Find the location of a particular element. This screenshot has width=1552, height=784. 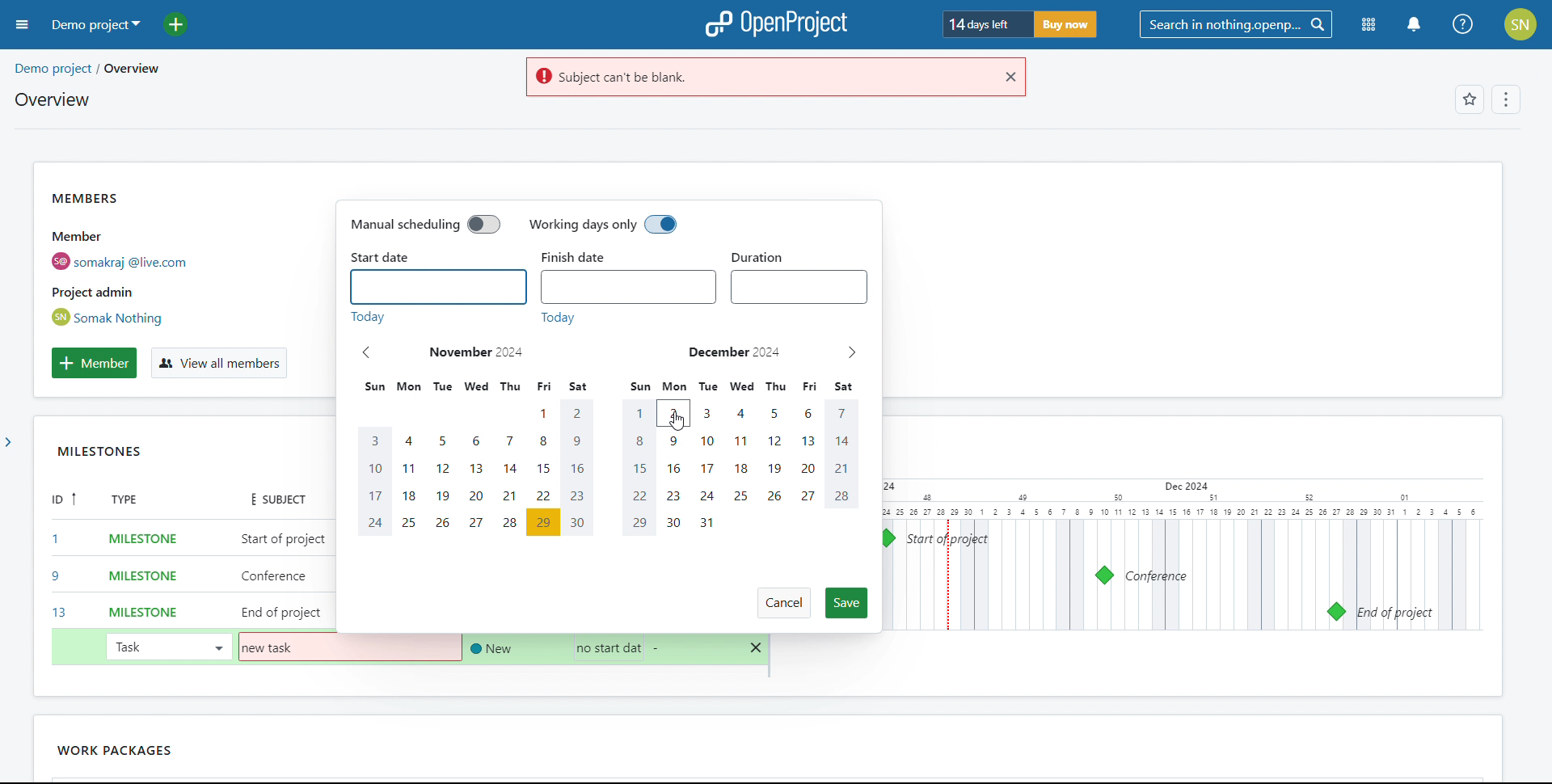

finish date is located at coordinates (629, 287).